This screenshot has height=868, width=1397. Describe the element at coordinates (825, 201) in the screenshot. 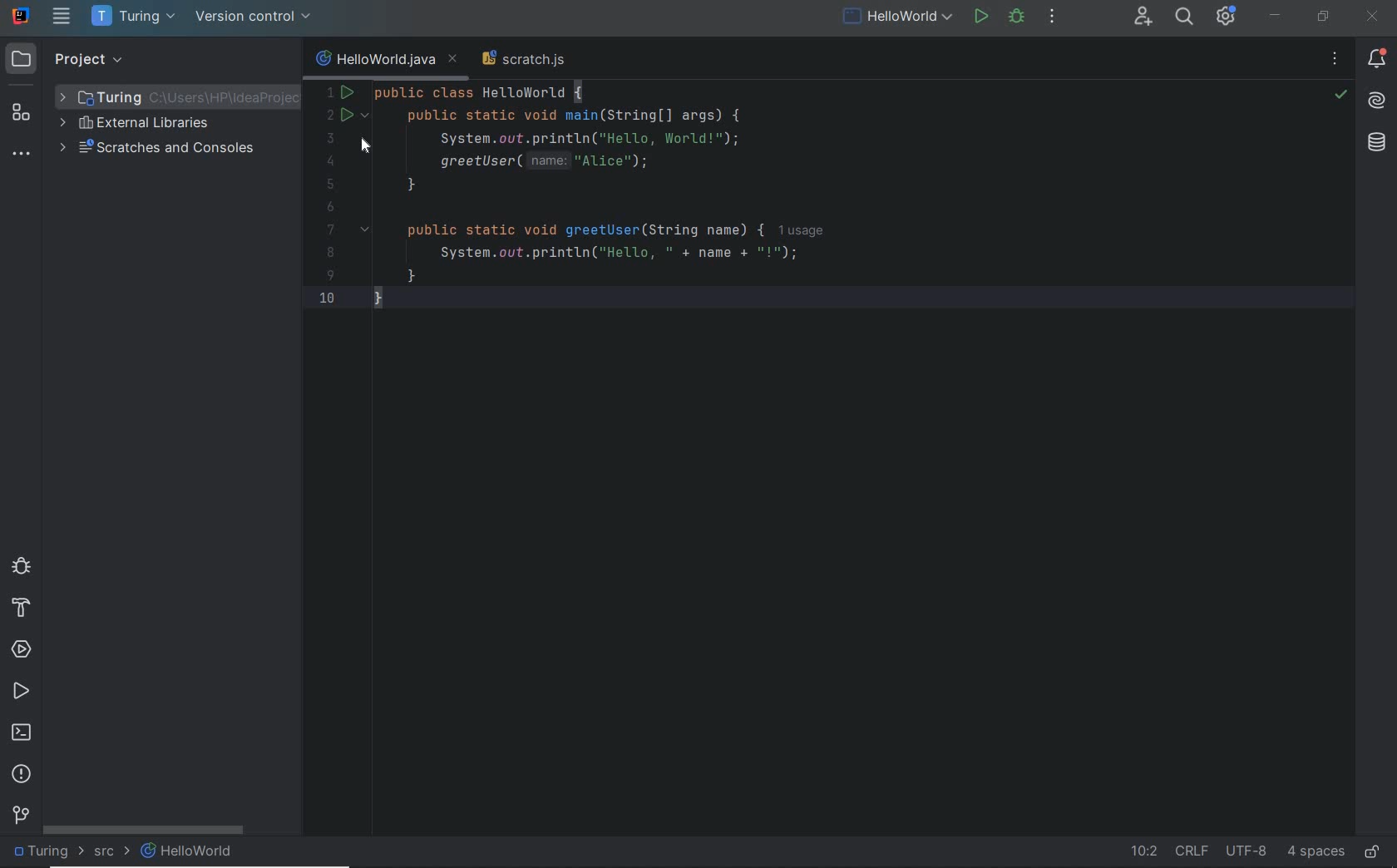

I see `codes` at that location.